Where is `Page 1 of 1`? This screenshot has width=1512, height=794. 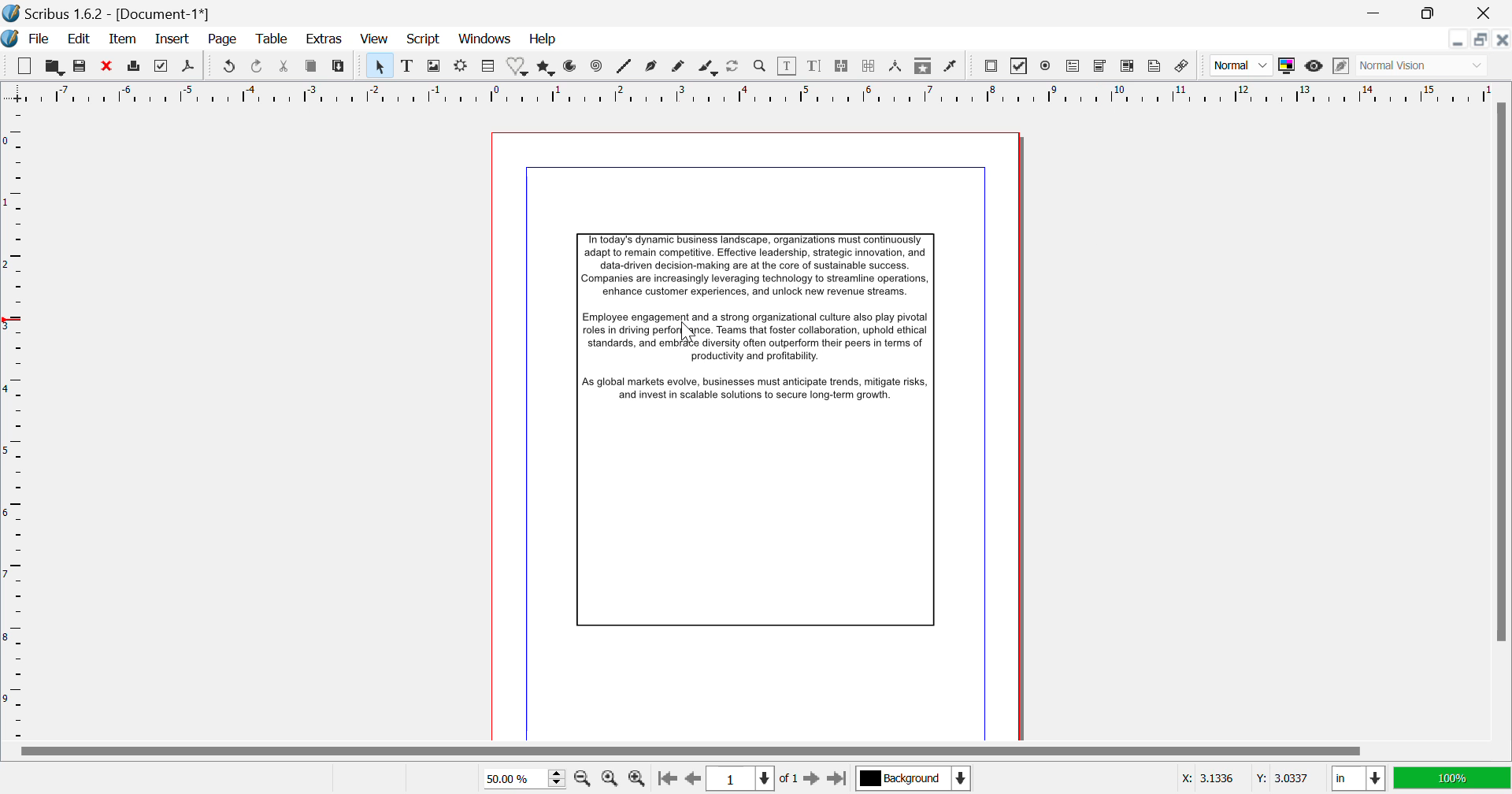
Page 1 of 1 is located at coordinates (755, 780).